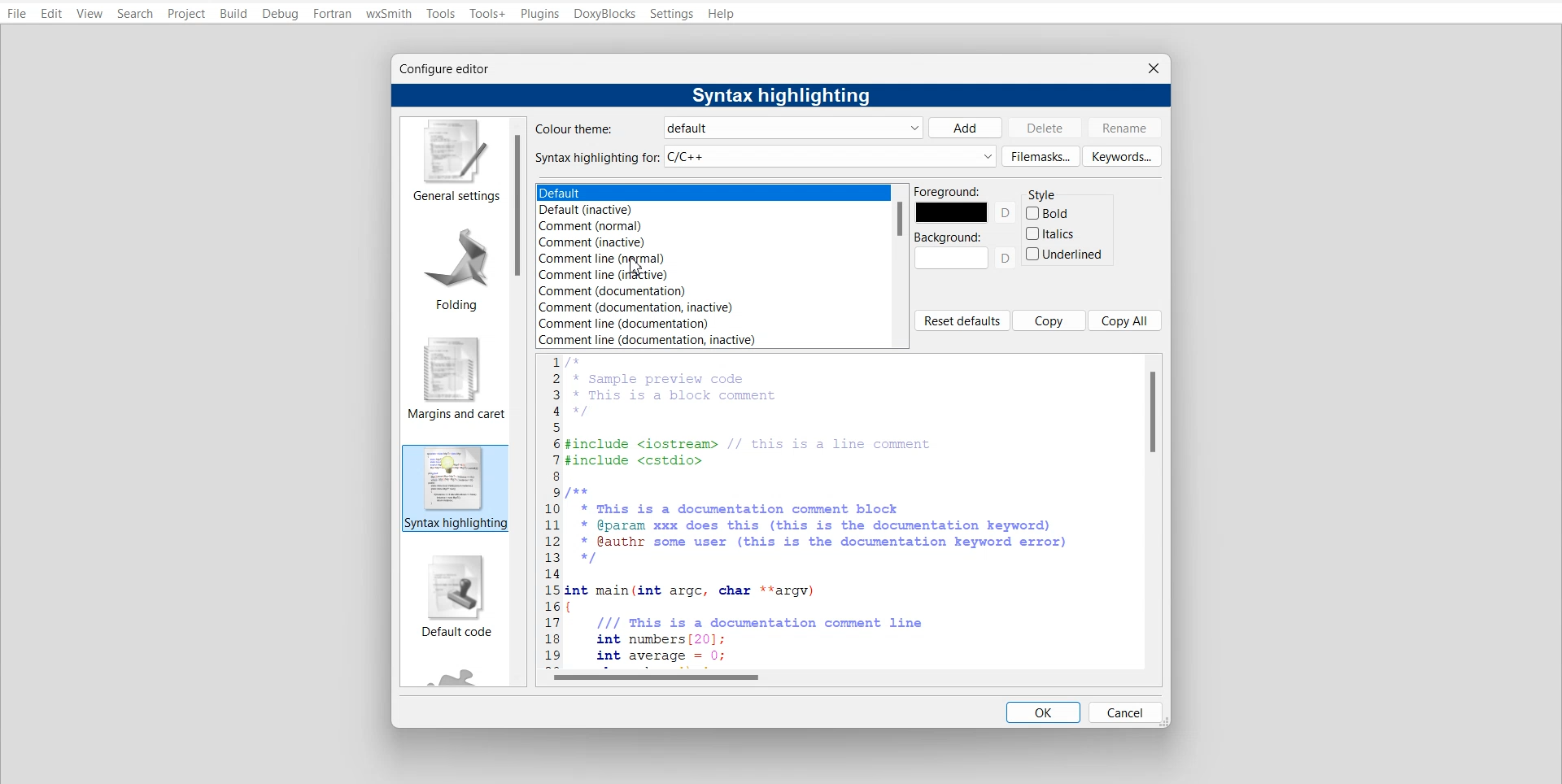 Image resolution: width=1562 pixels, height=784 pixels. What do you see at coordinates (900, 265) in the screenshot?
I see `Vertical scroll bar` at bounding box center [900, 265].